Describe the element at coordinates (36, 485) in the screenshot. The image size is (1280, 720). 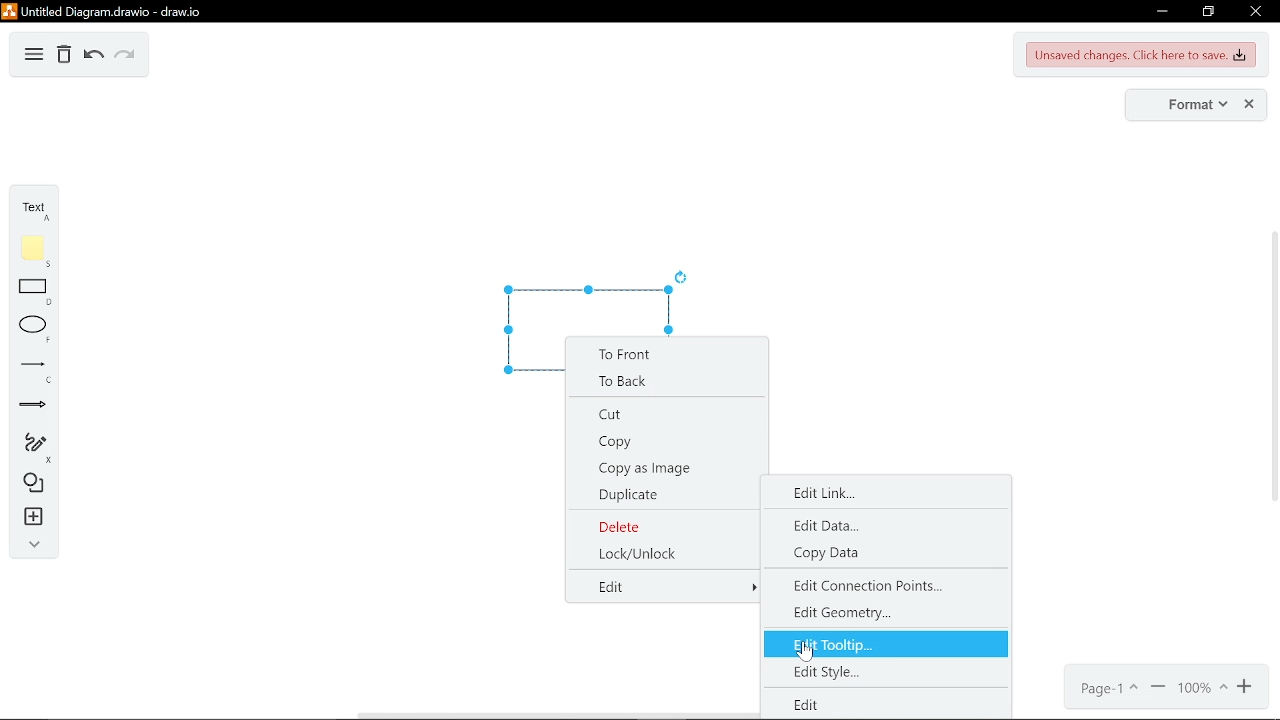
I see `shapes` at that location.